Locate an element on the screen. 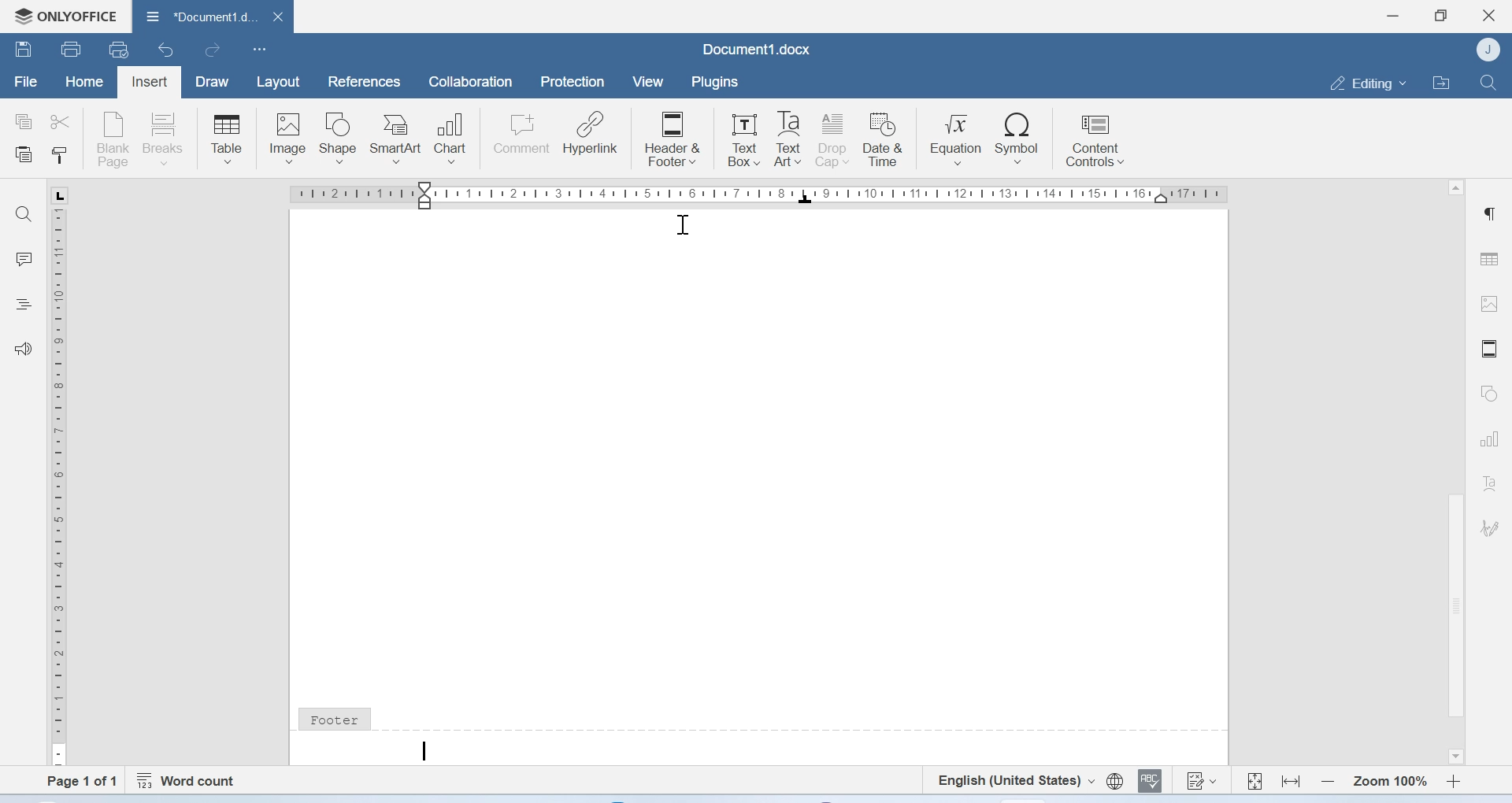 Image resolution: width=1512 pixels, height=803 pixels. Text Art is located at coordinates (788, 140).